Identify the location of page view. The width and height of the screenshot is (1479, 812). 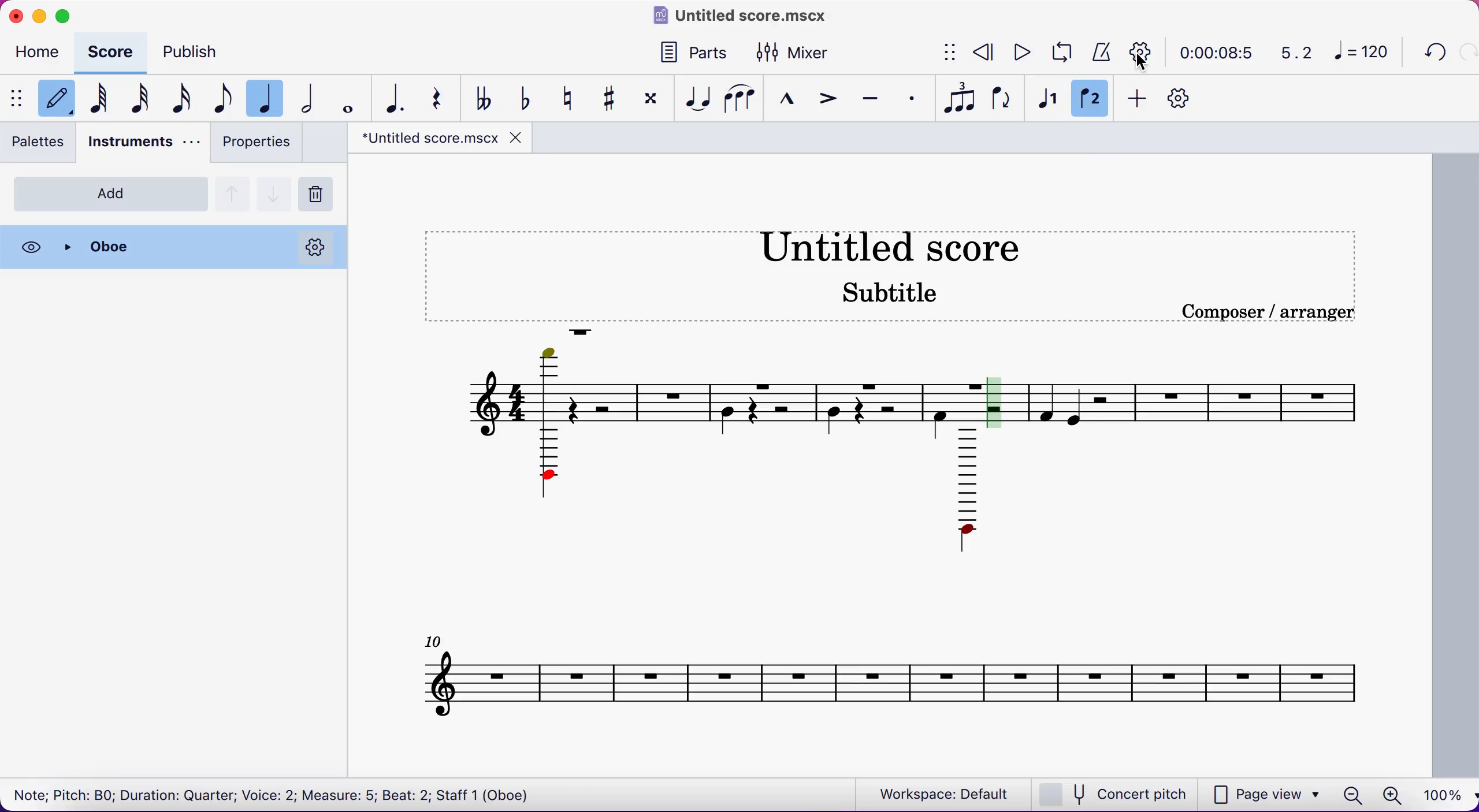
(1266, 794).